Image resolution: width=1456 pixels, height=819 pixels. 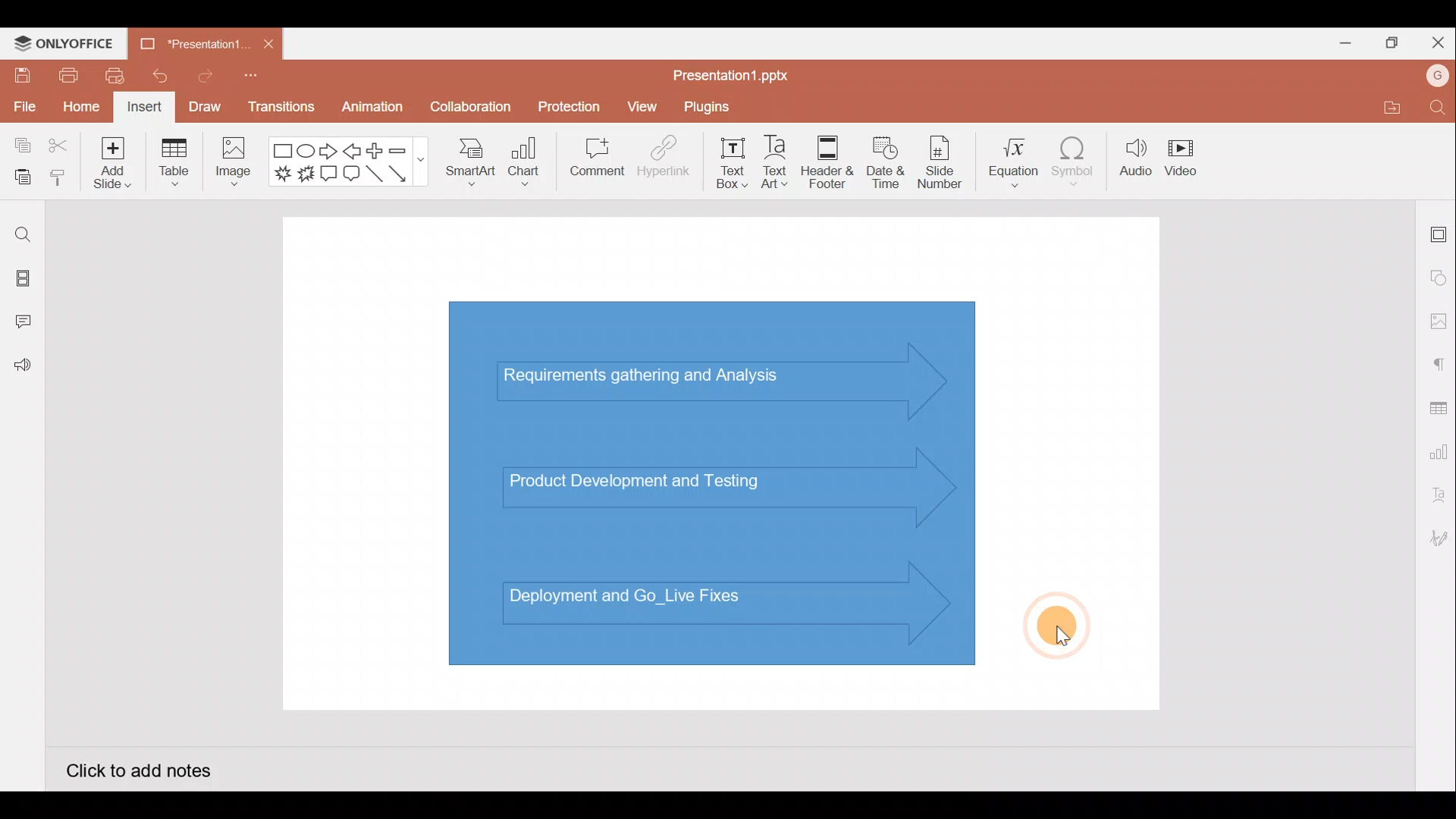 What do you see at coordinates (406, 174) in the screenshot?
I see `Arrow` at bounding box center [406, 174].